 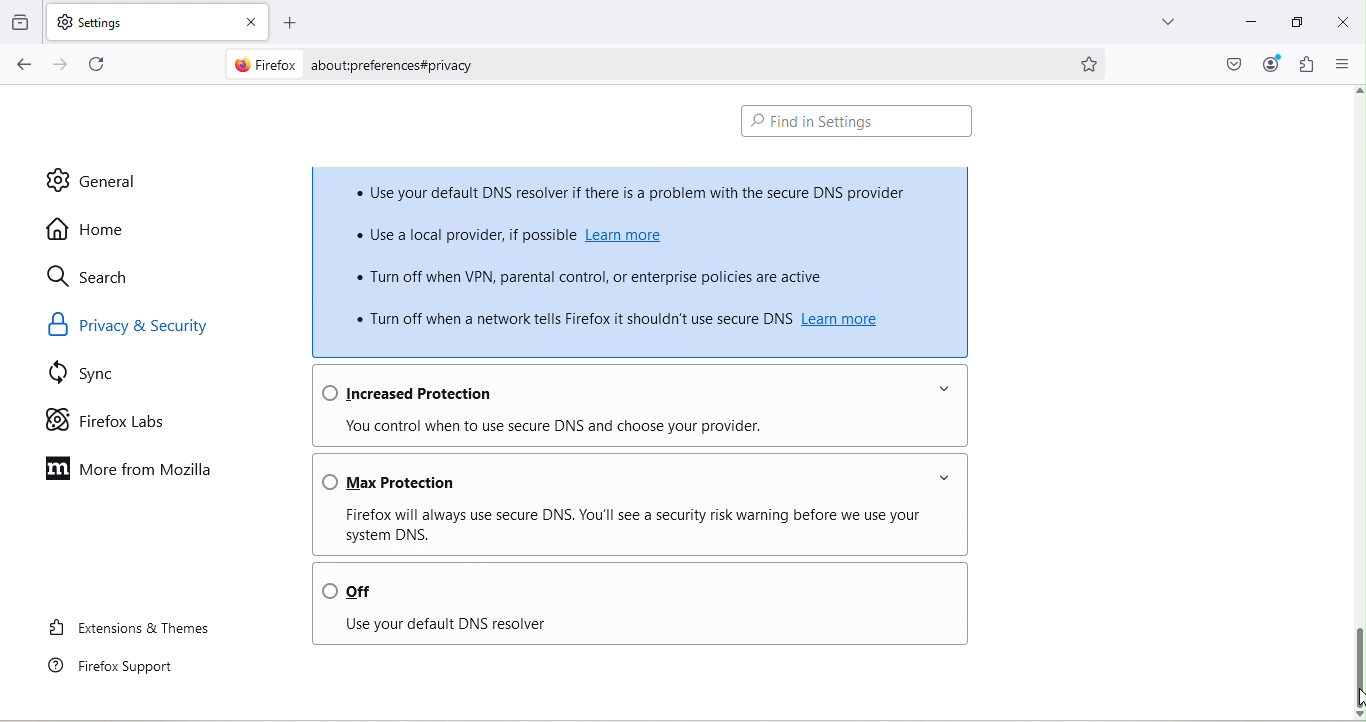 What do you see at coordinates (1357, 697) in the screenshot?
I see `Cursor` at bounding box center [1357, 697].